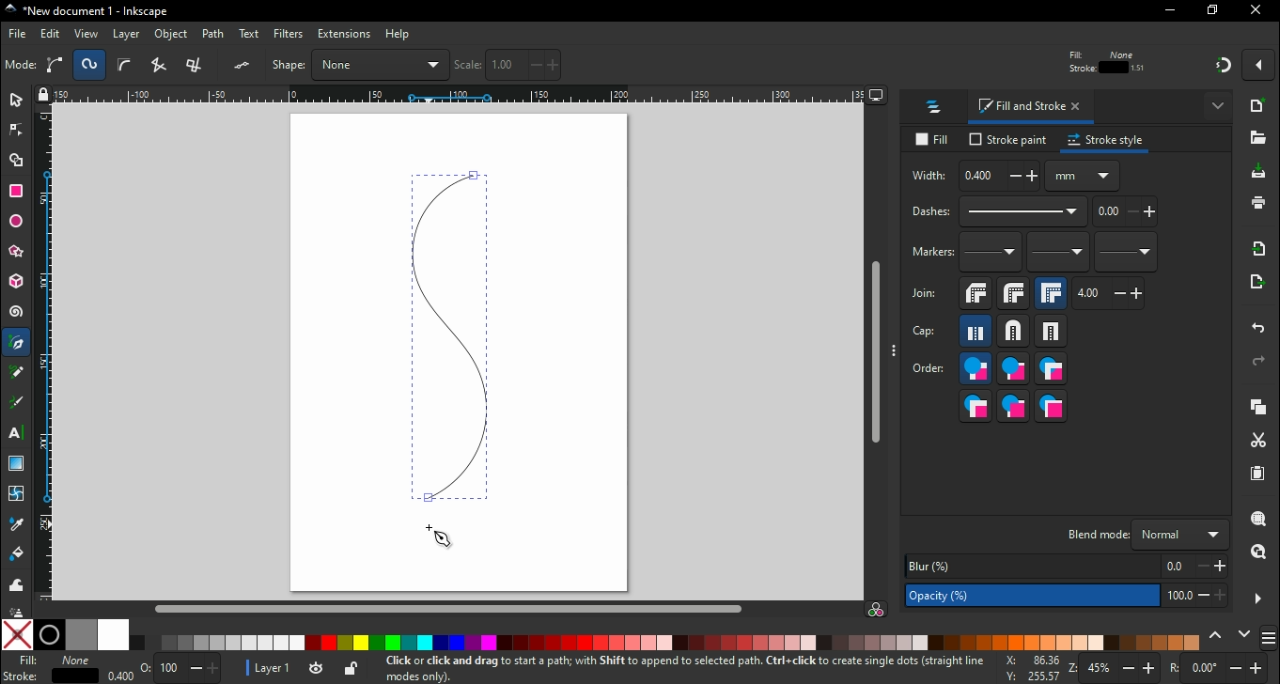 Image resolution: width=1280 pixels, height=684 pixels. What do you see at coordinates (508, 65) in the screenshot?
I see `scale` at bounding box center [508, 65].